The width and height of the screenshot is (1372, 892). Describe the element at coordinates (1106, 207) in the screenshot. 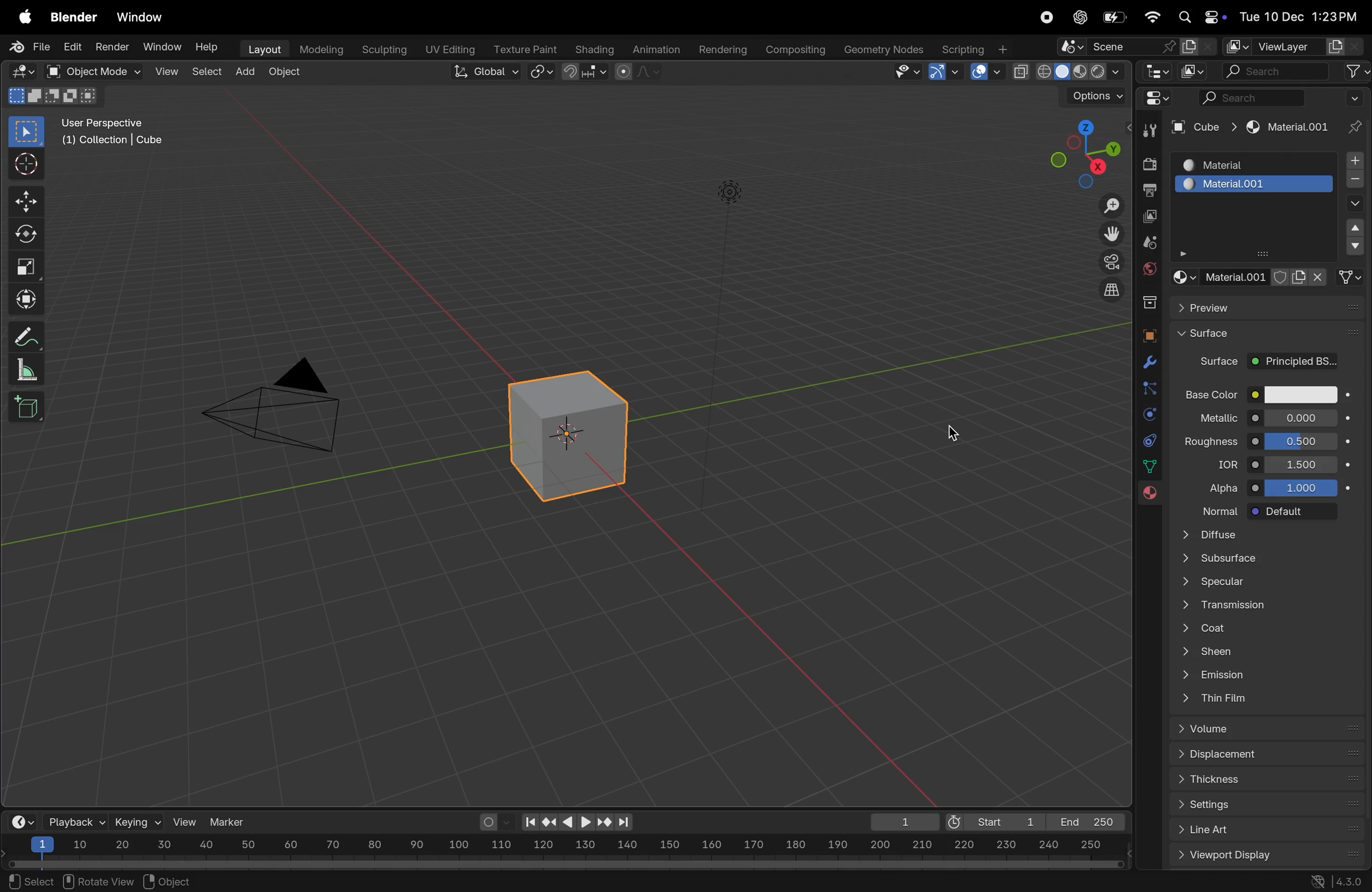

I see `zoom` at that location.